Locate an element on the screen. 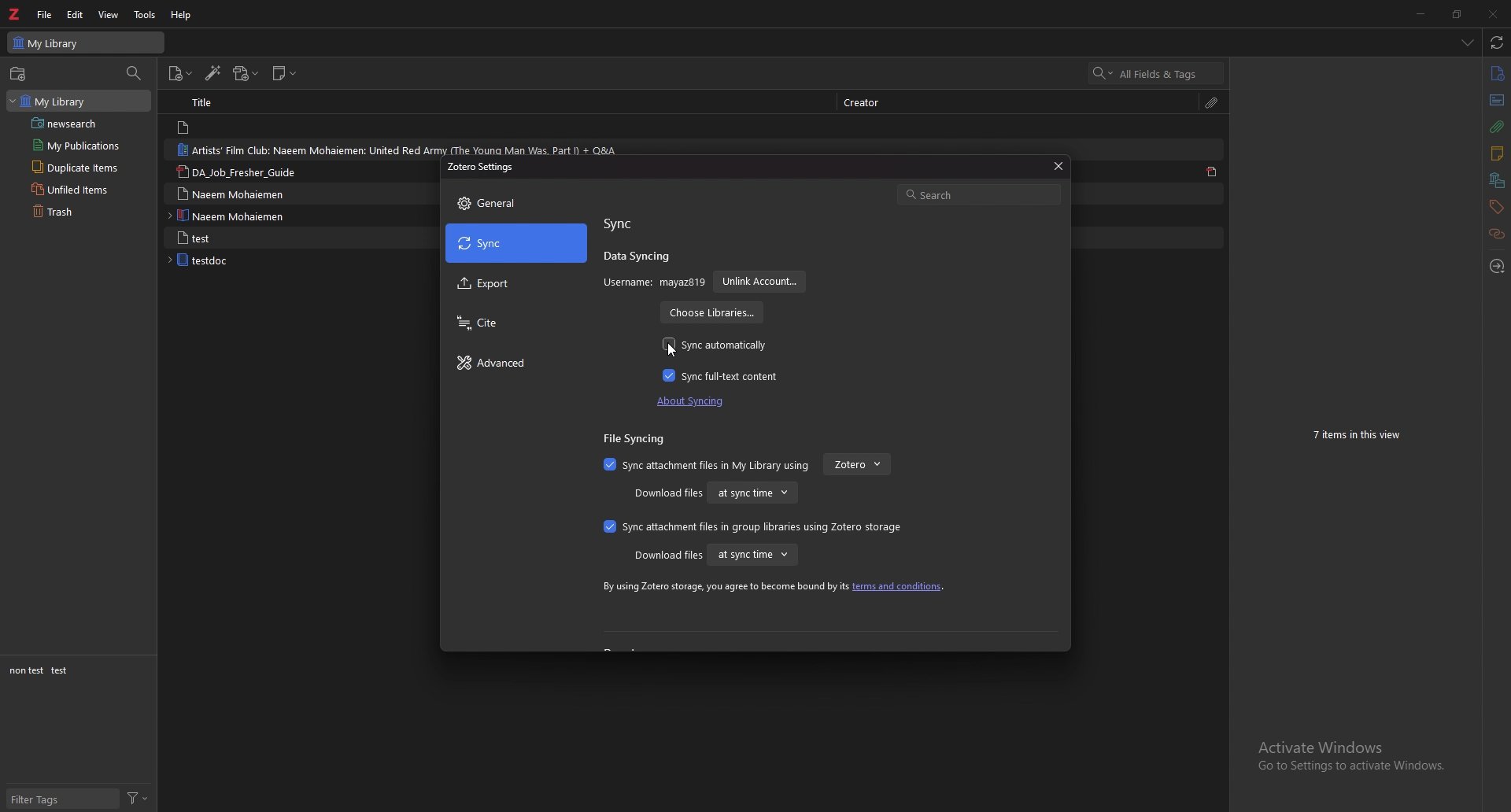 The image size is (1511, 812). minimize is located at coordinates (1421, 13).